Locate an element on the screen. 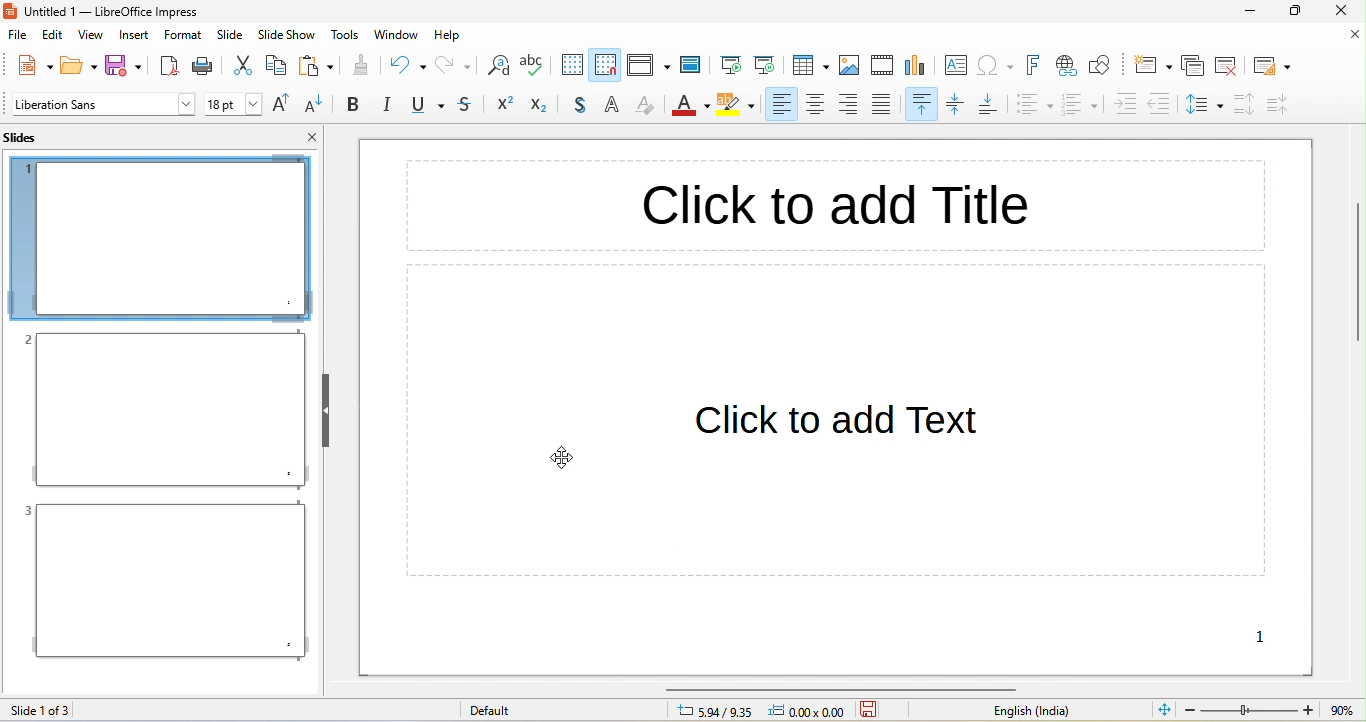 This screenshot has width=1366, height=722. slide show is located at coordinates (287, 35).